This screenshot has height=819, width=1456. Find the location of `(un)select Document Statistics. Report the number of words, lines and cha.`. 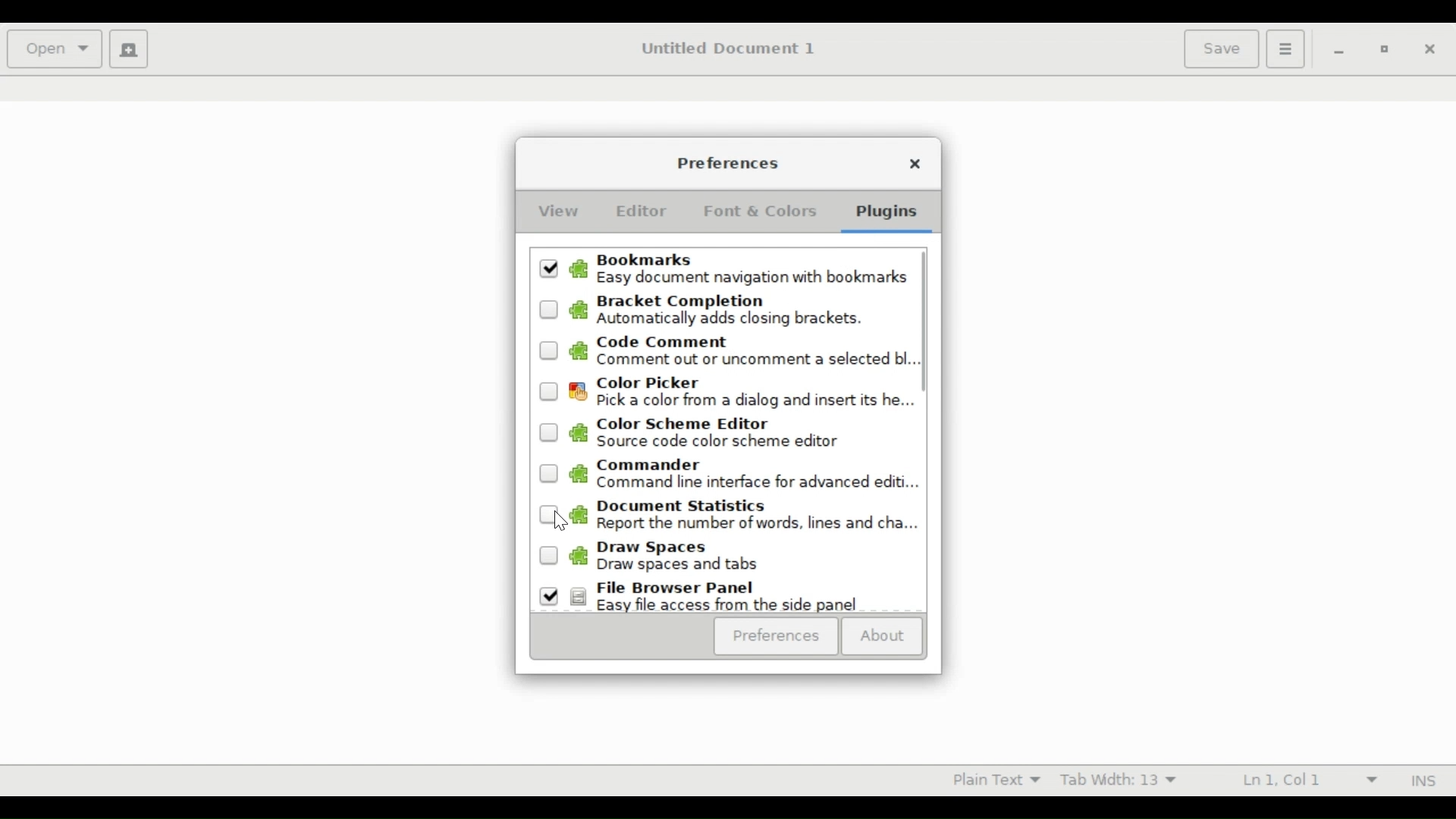

(un)select Document Statistics. Report the number of words, lines and cha. is located at coordinates (741, 519).